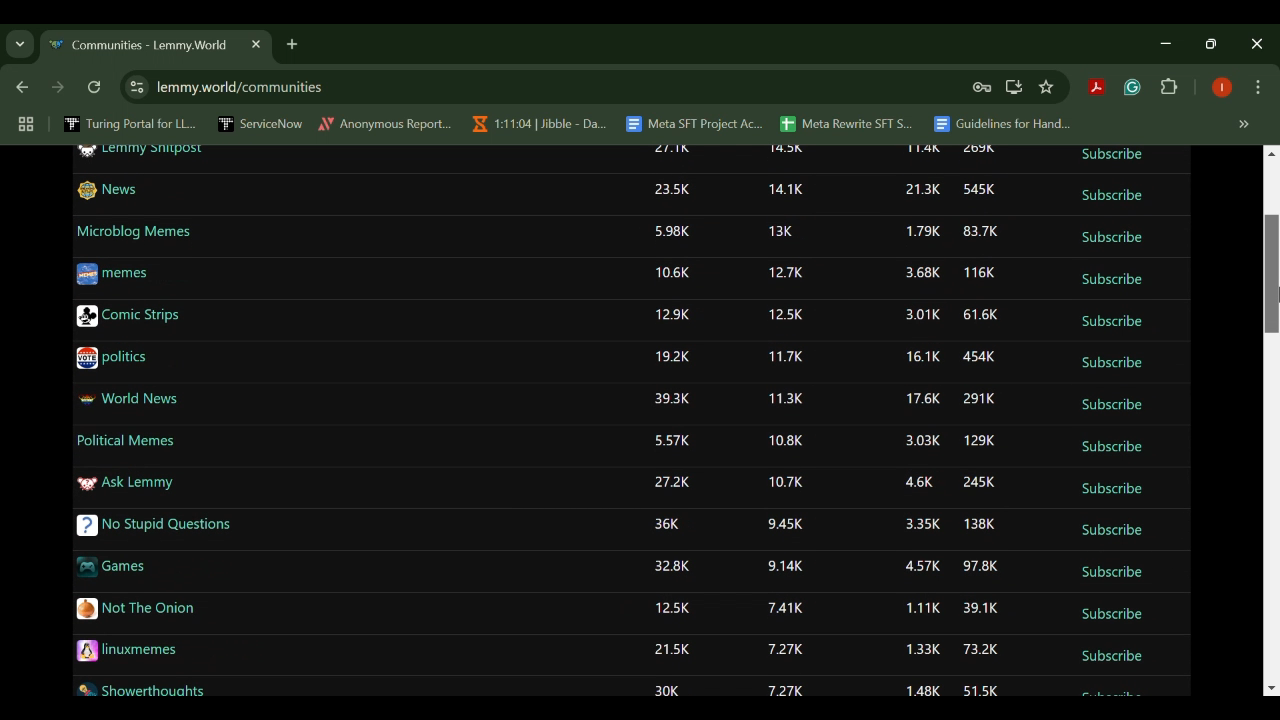  What do you see at coordinates (126, 440) in the screenshot?
I see `Political Memes` at bounding box center [126, 440].